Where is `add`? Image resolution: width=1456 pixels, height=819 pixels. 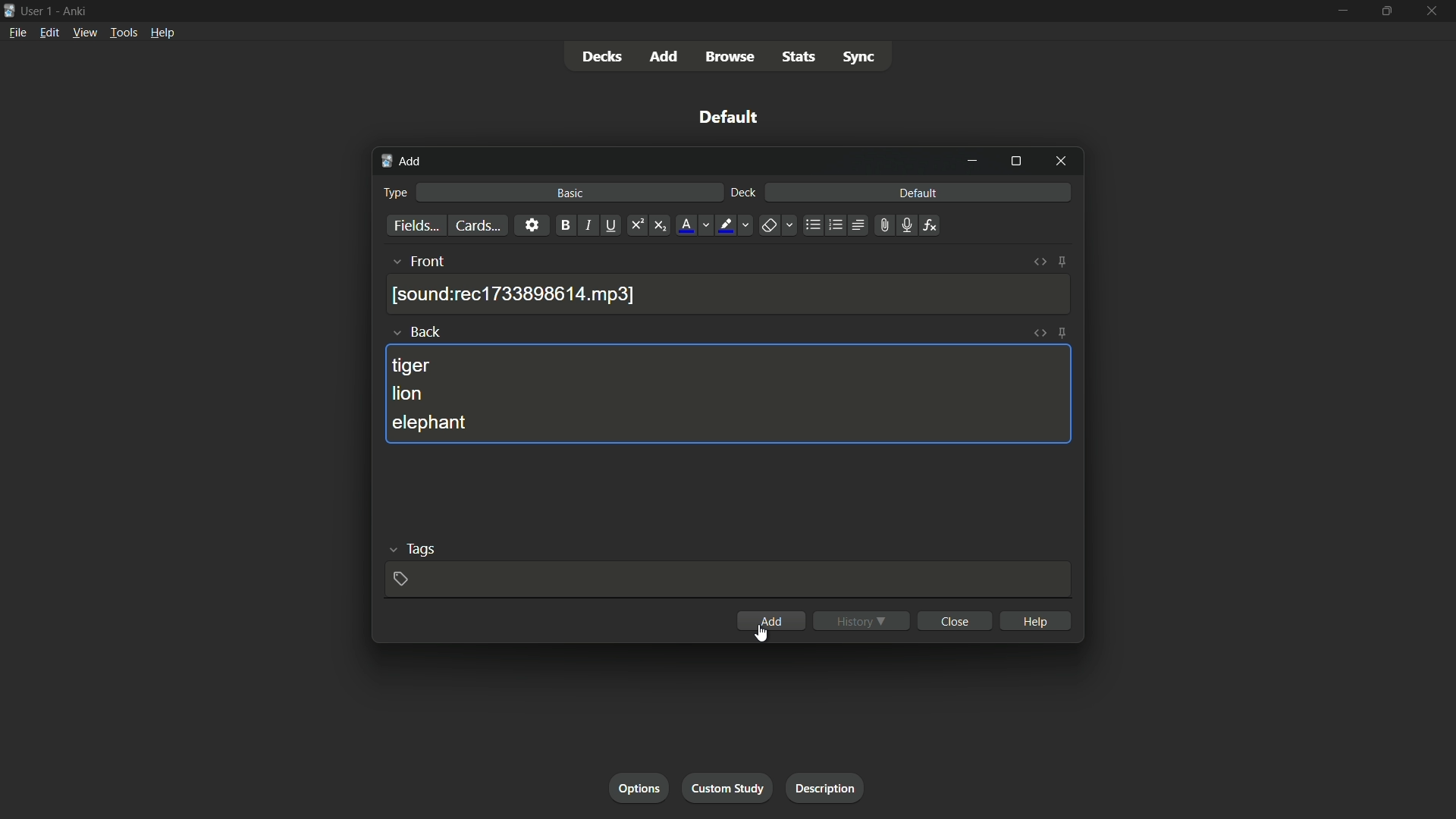
add is located at coordinates (401, 162).